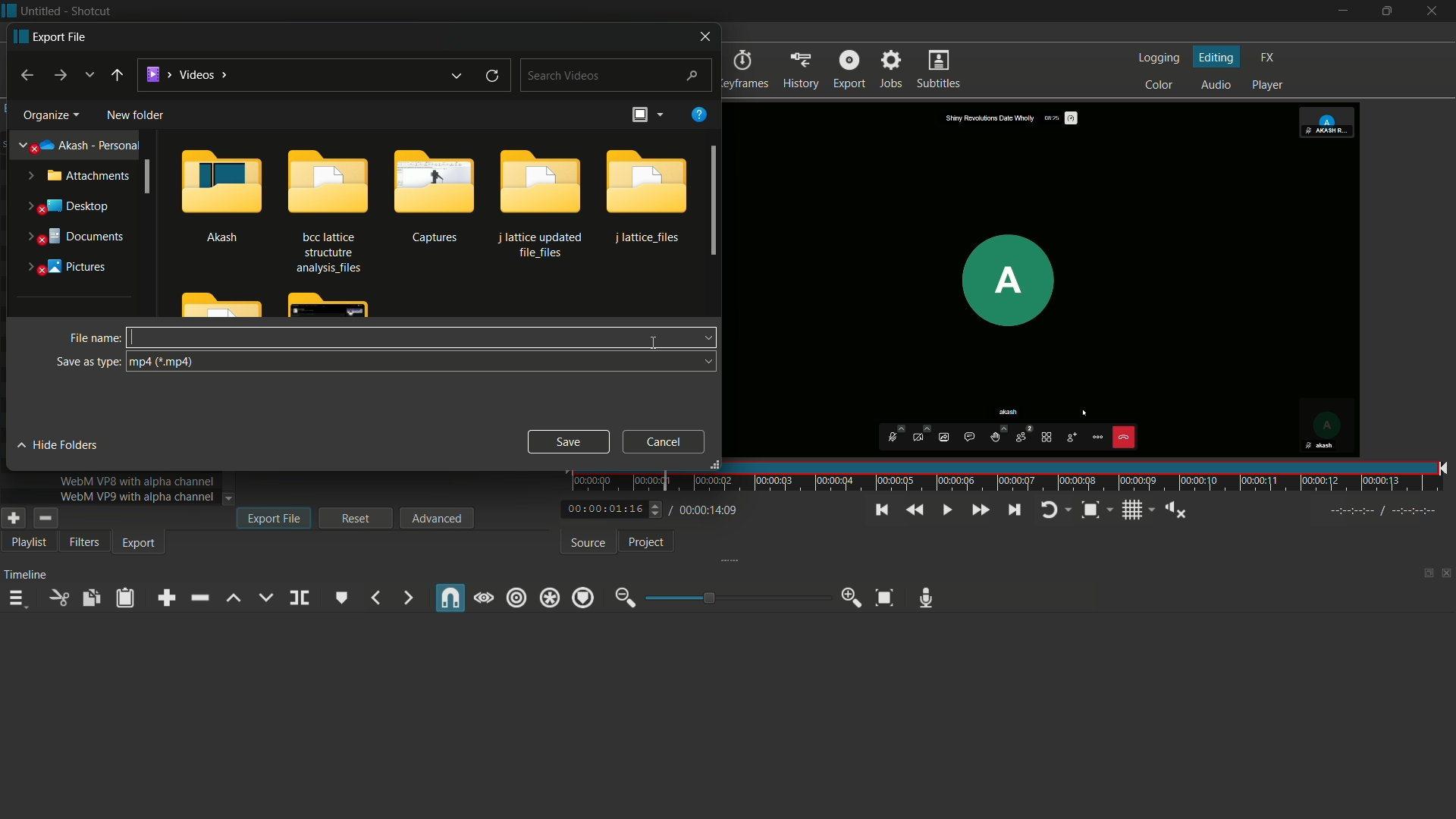 The height and width of the screenshot is (819, 1456). What do you see at coordinates (343, 598) in the screenshot?
I see `create or edit marker` at bounding box center [343, 598].